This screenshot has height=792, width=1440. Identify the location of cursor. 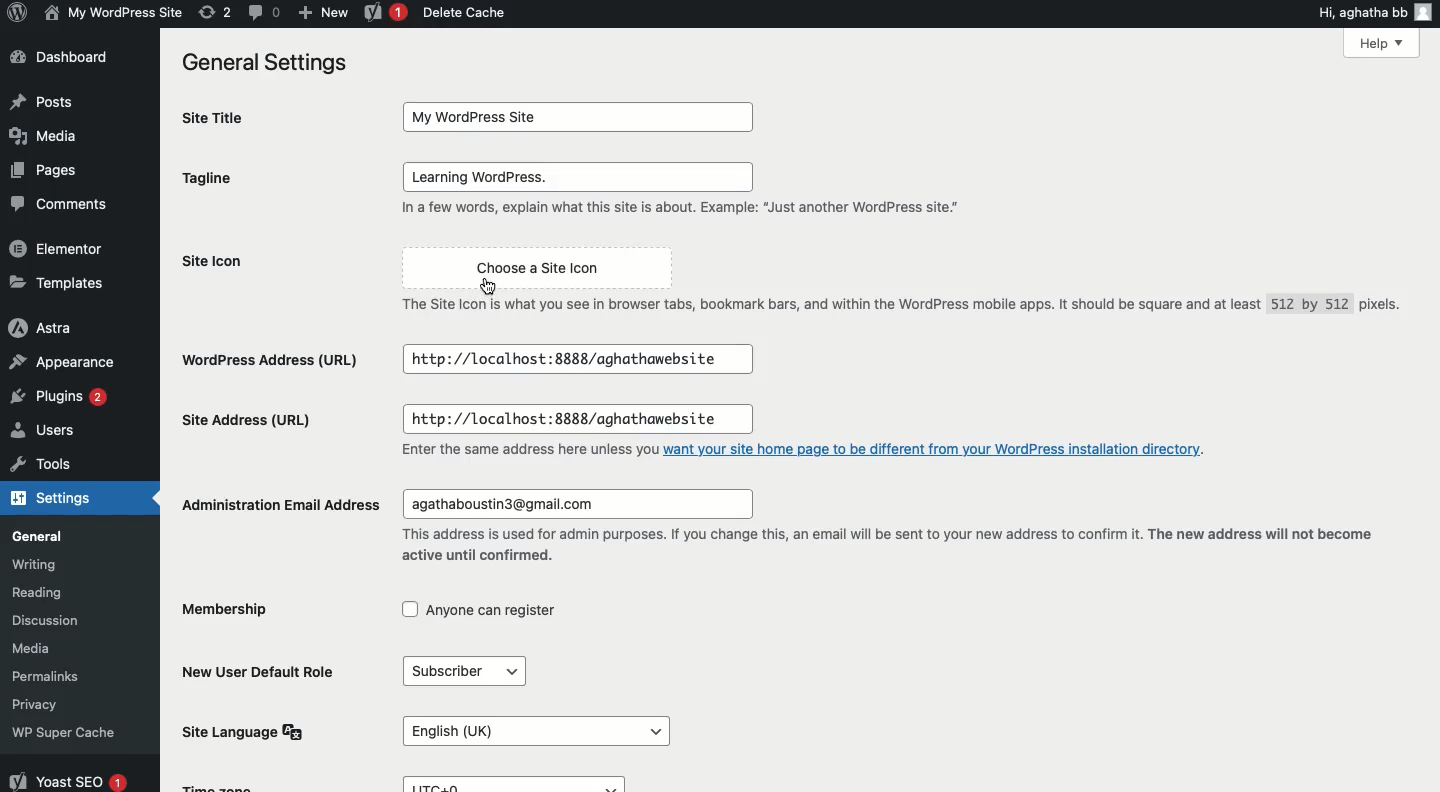
(489, 286).